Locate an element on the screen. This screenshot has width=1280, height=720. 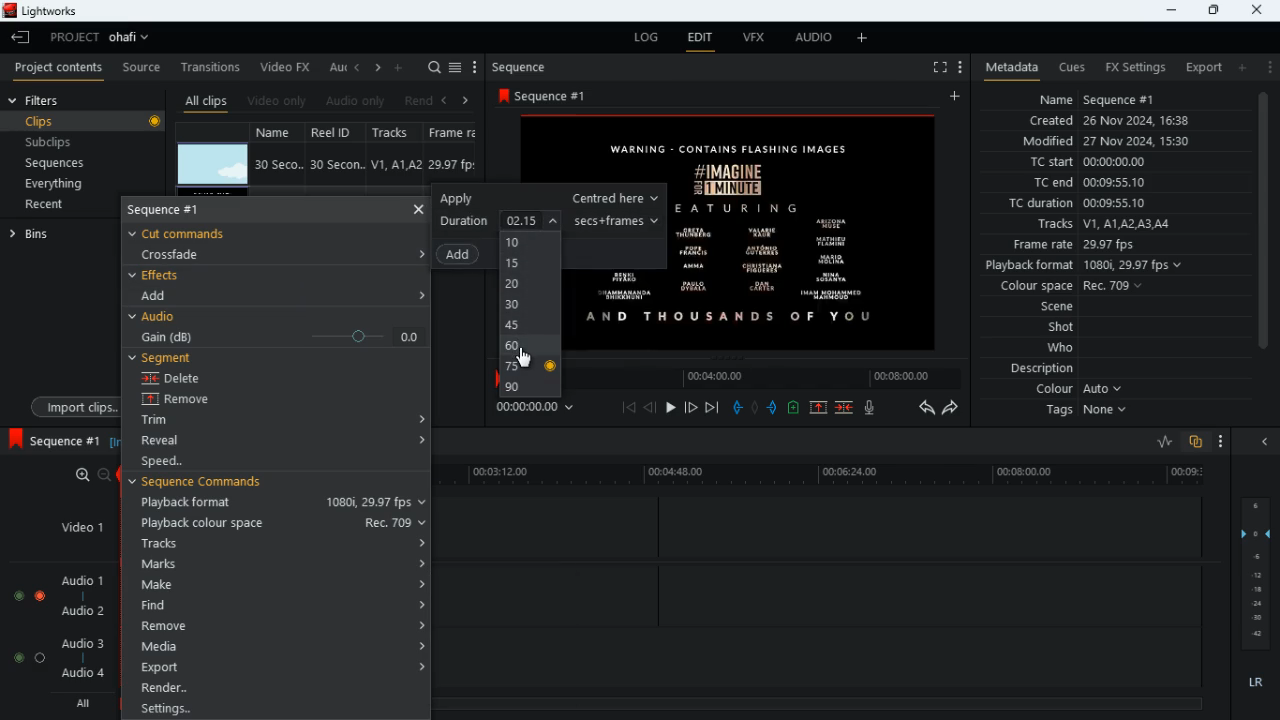
segment is located at coordinates (166, 358).